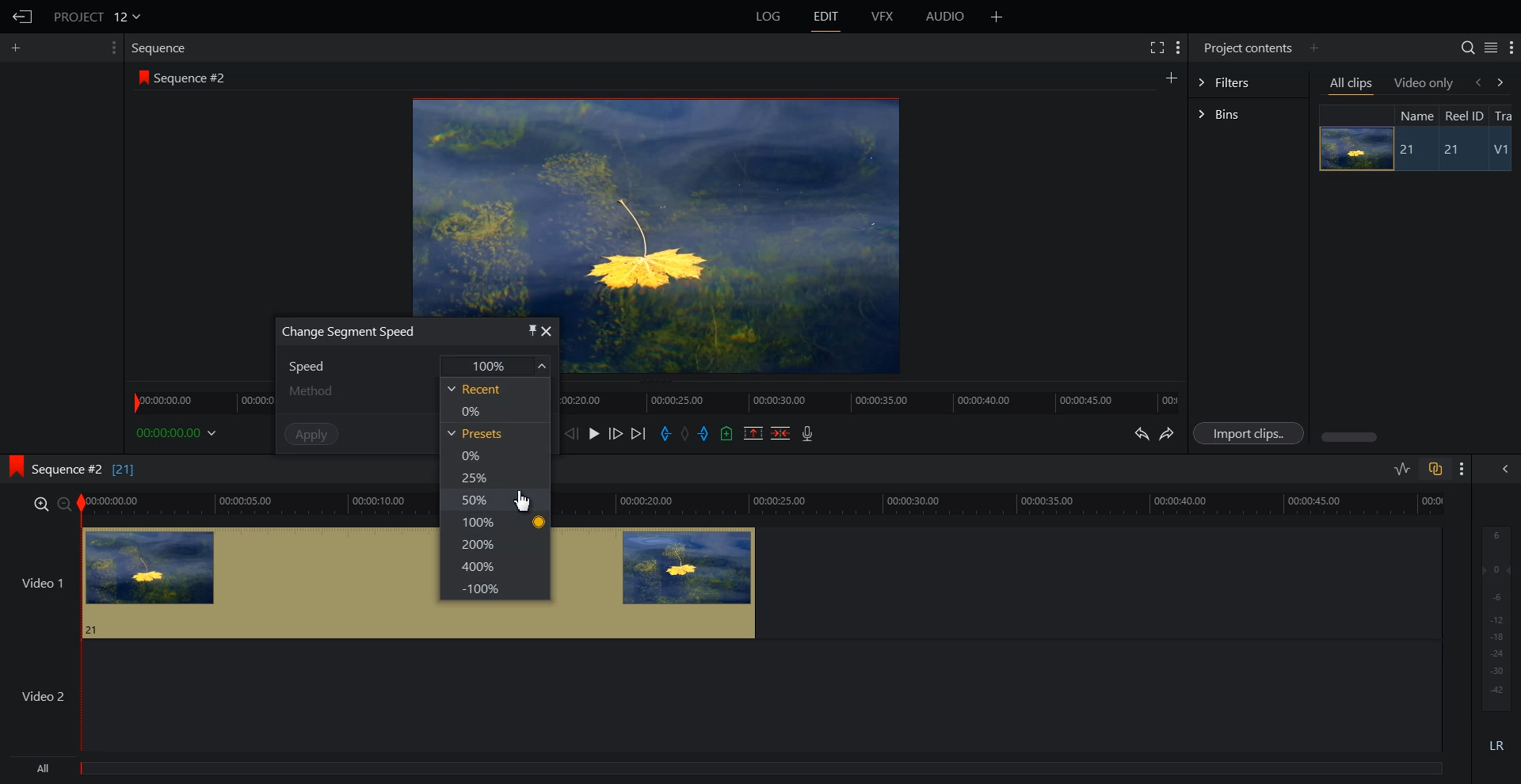 Image resolution: width=1521 pixels, height=784 pixels. Describe the element at coordinates (312, 434) in the screenshot. I see `Apply` at that location.